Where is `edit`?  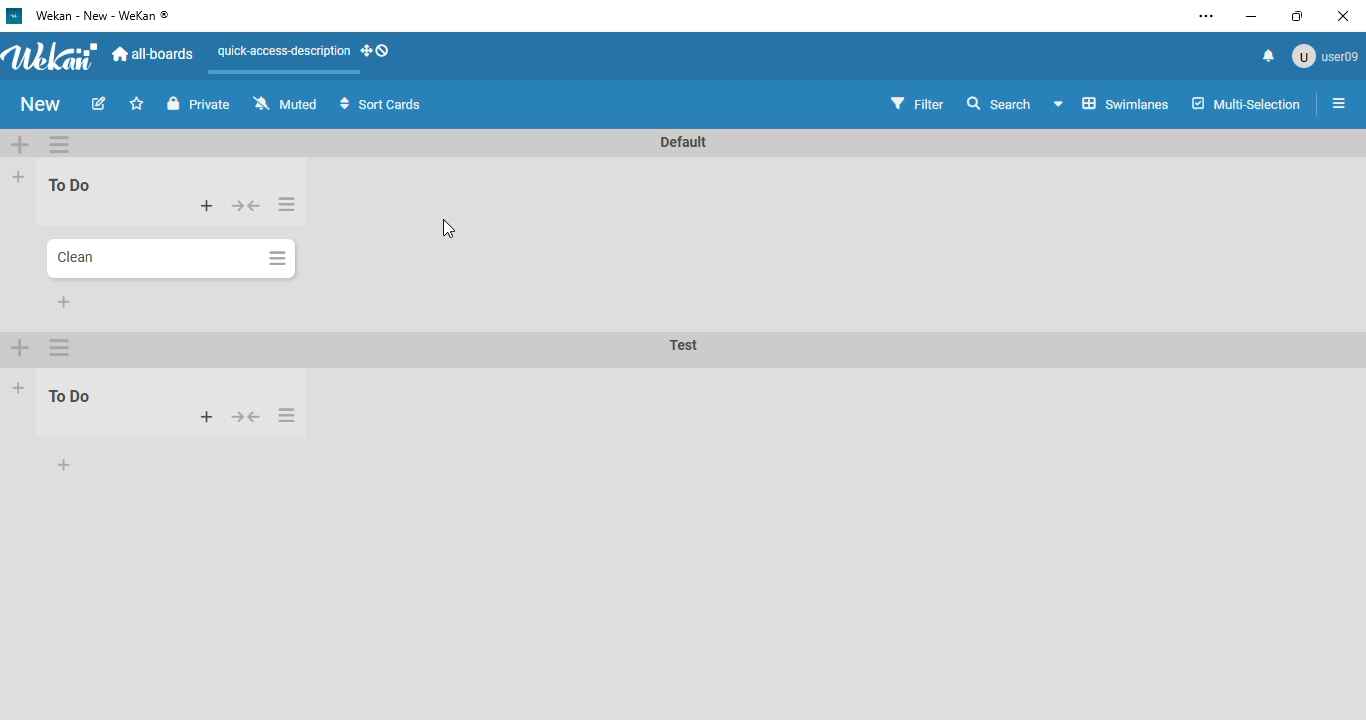
edit is located at coordinates (99, 103).